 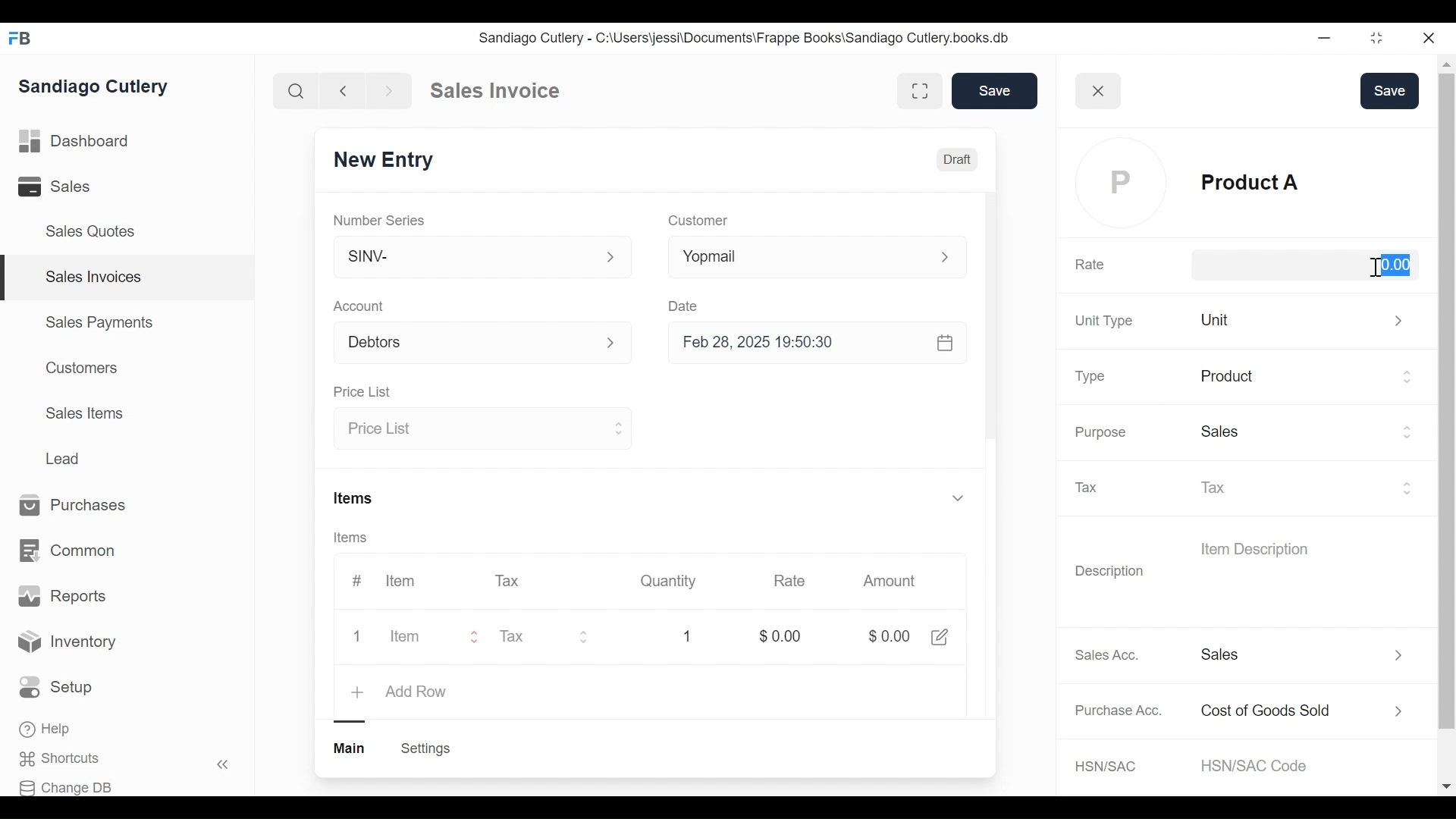 What do you see at coordinates (1307, 654) in the screenshot?
I see `Income` at bounding box center [1307, 654].